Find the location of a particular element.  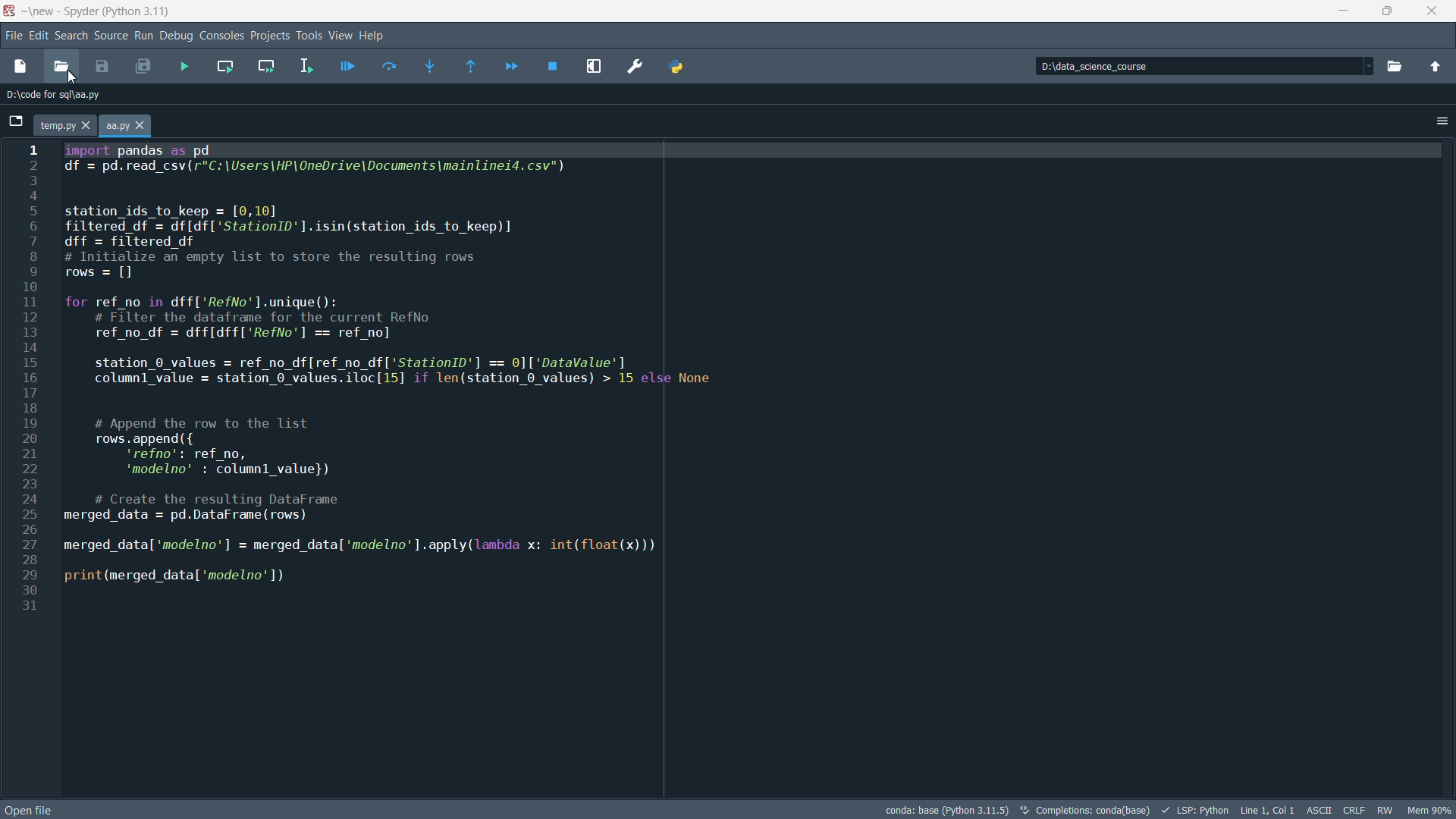

preferences is located at coordinates (634, 67).